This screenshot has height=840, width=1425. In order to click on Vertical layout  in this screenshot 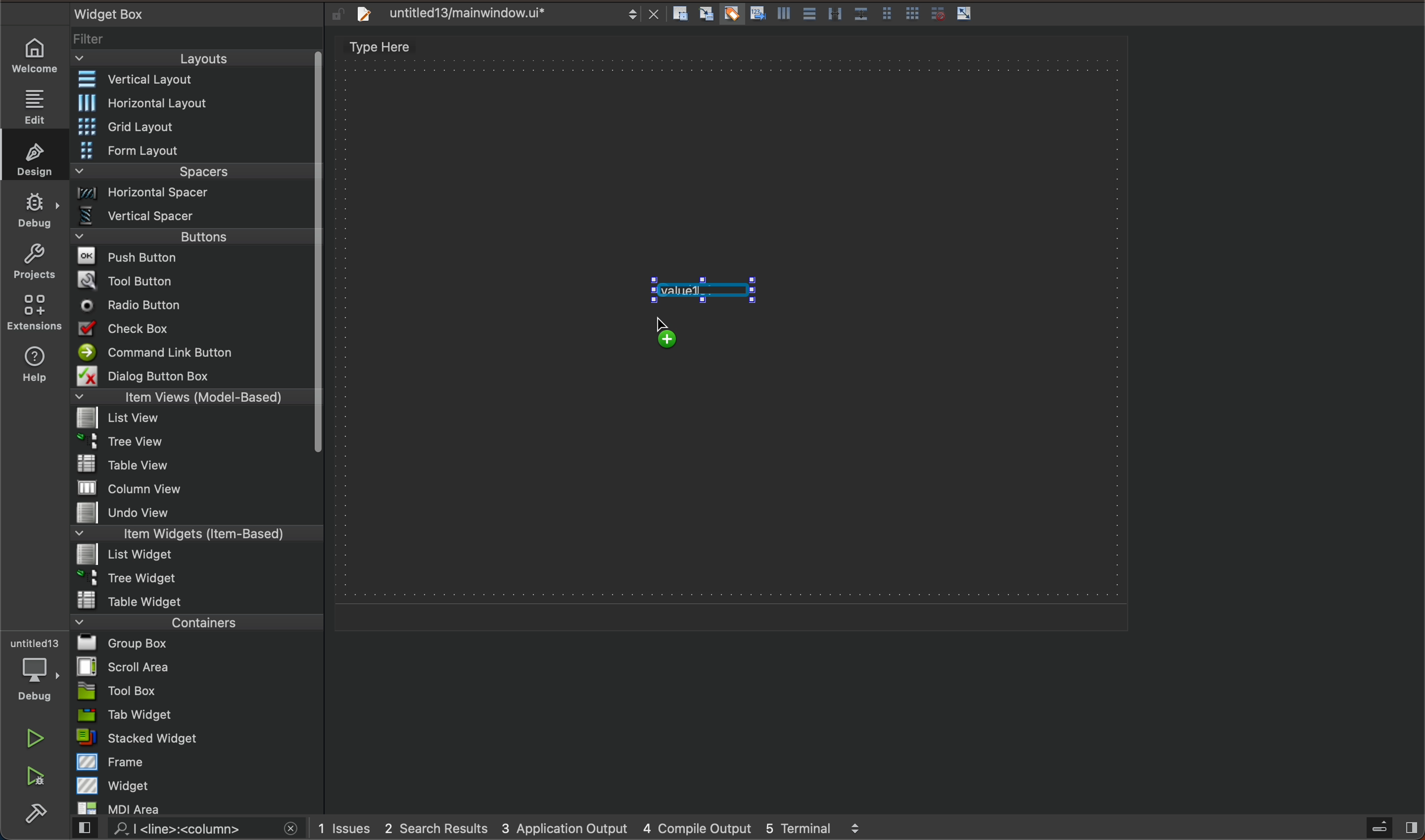, I will do `click(194, 80)`.